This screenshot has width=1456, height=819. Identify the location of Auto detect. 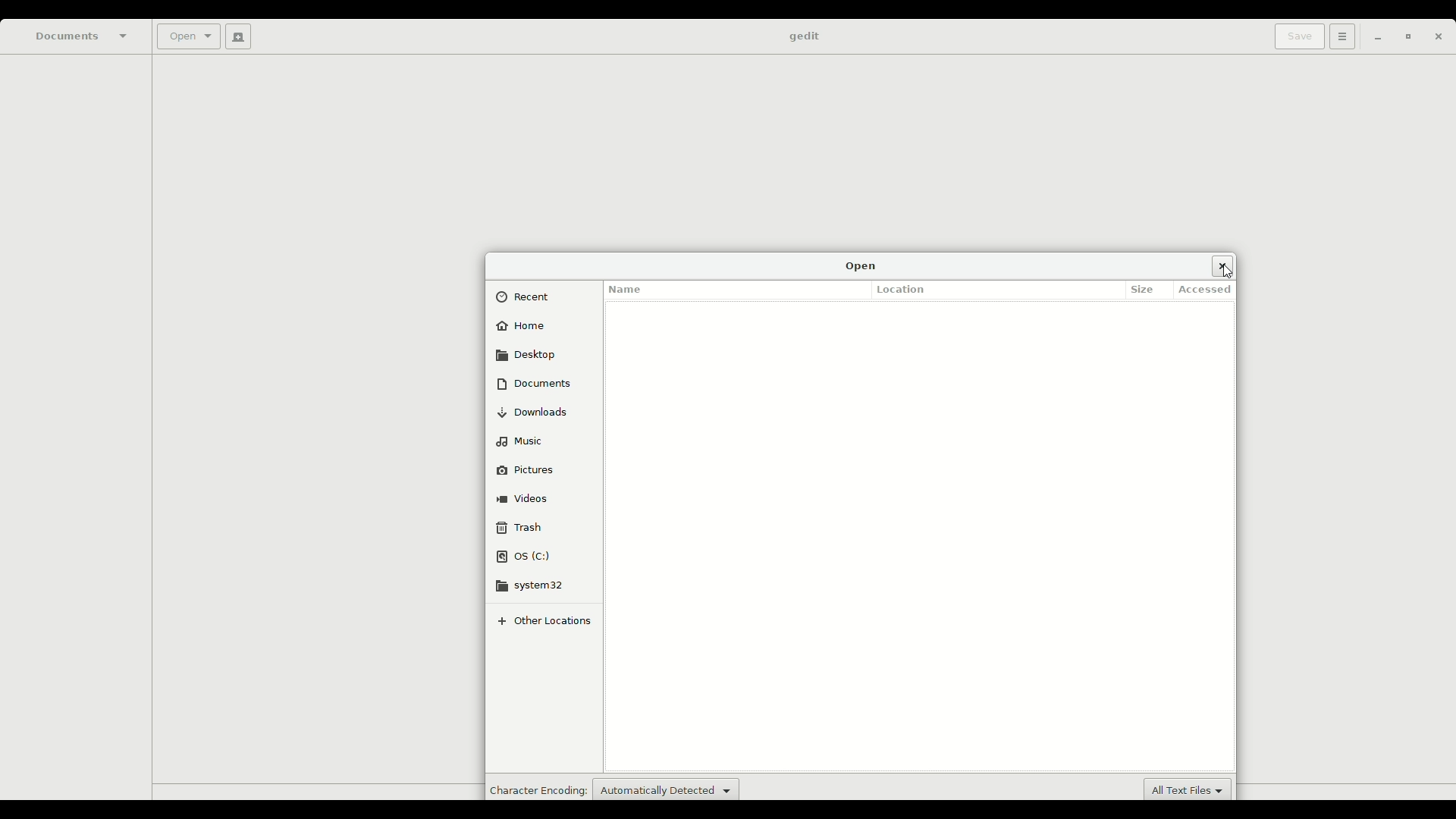
(666, 788).